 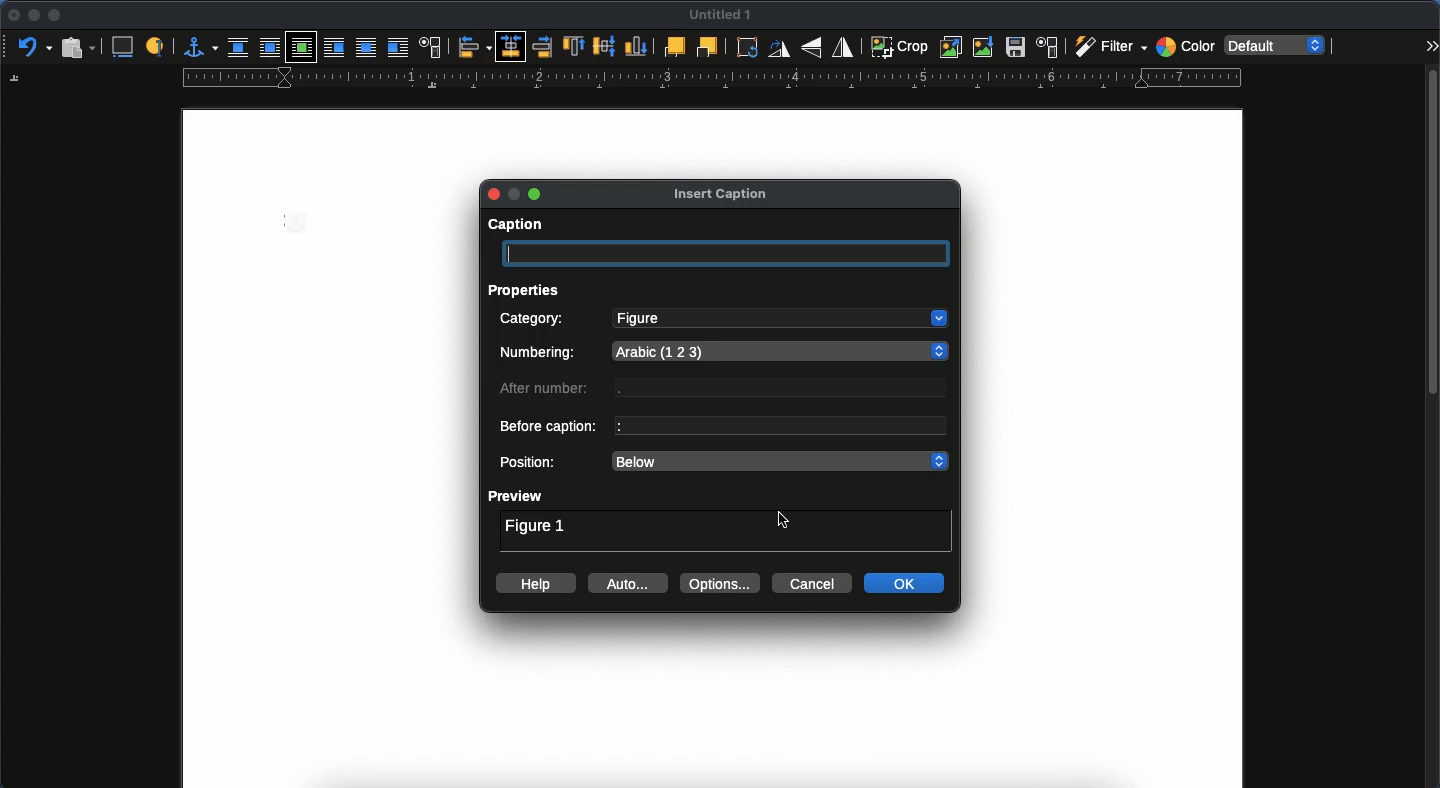 I want to click on anchor for object, so click(x=198, y=47).